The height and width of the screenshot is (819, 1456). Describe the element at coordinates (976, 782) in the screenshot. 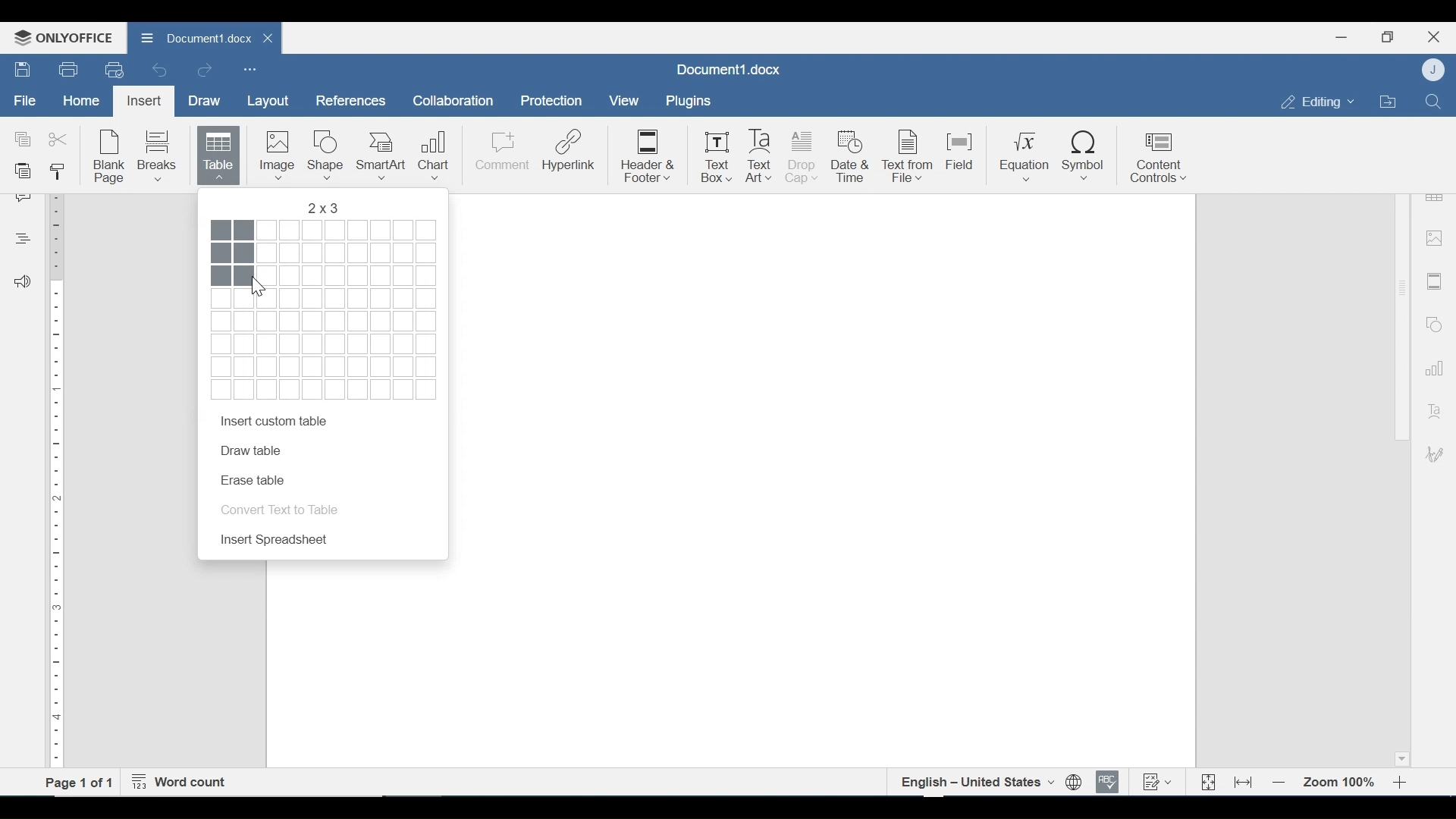

I see `English- united states` at that location.